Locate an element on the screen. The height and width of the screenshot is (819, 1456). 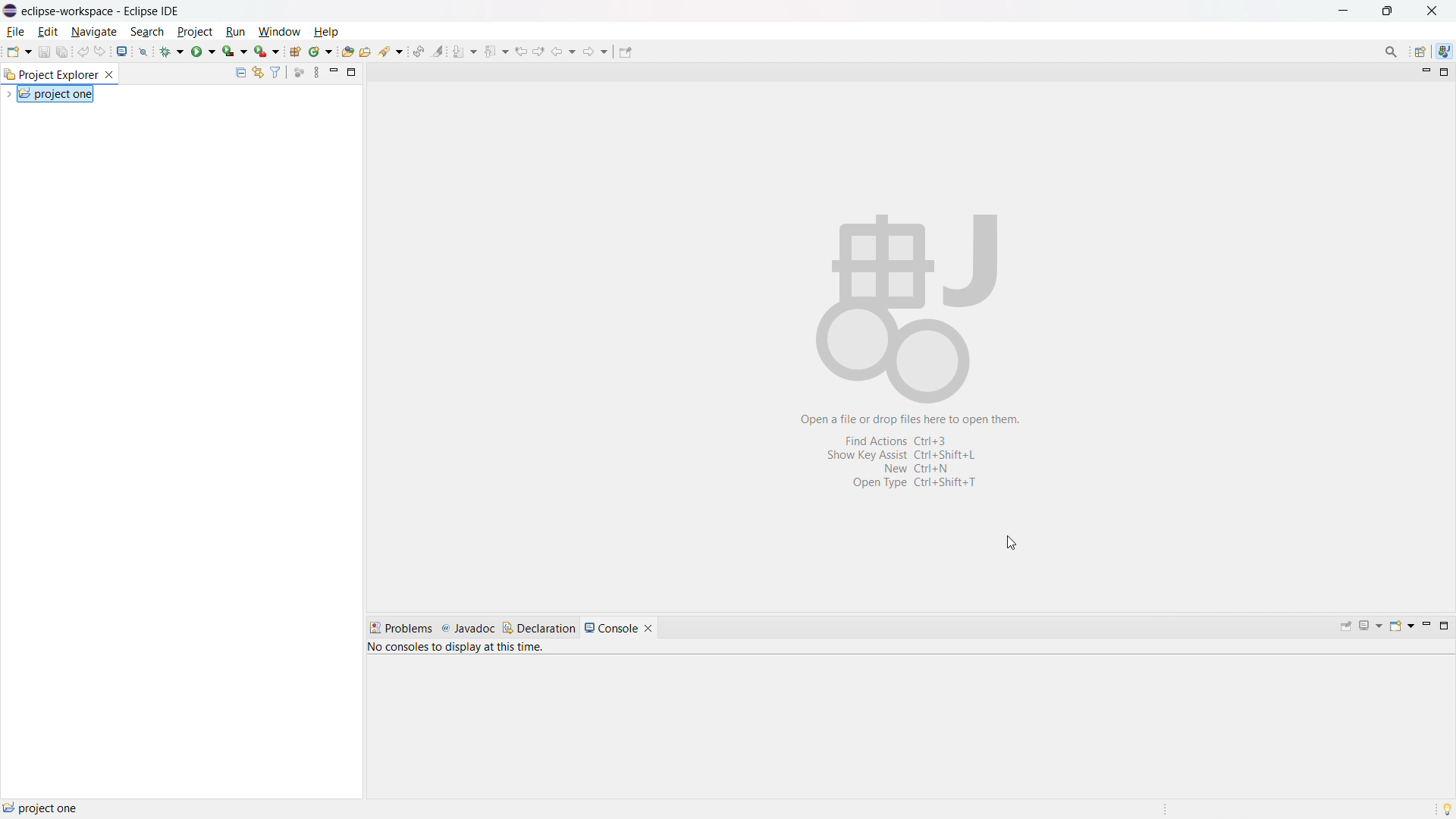
debug is located at coordinates (172, 50).